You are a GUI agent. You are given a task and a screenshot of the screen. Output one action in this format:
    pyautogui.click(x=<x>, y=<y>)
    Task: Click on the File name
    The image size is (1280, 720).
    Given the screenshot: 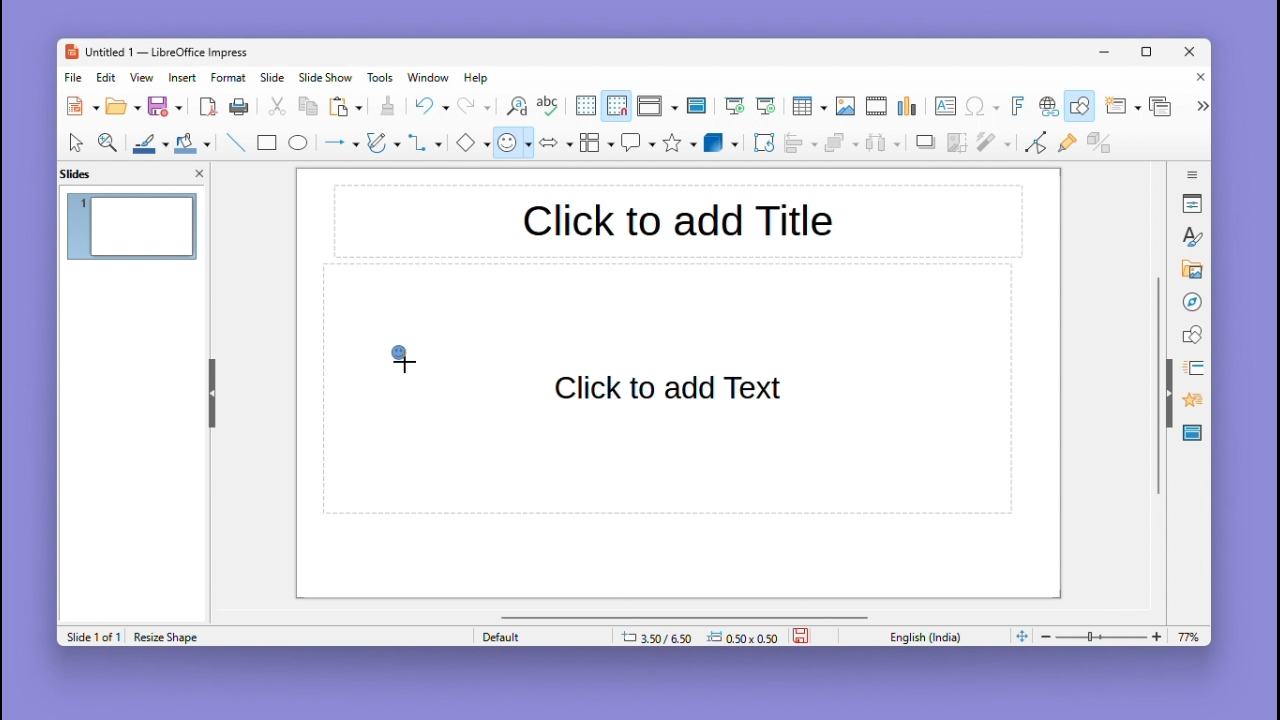 What is the action you would take?
    pyautogui.click(x=155, y=53)
    